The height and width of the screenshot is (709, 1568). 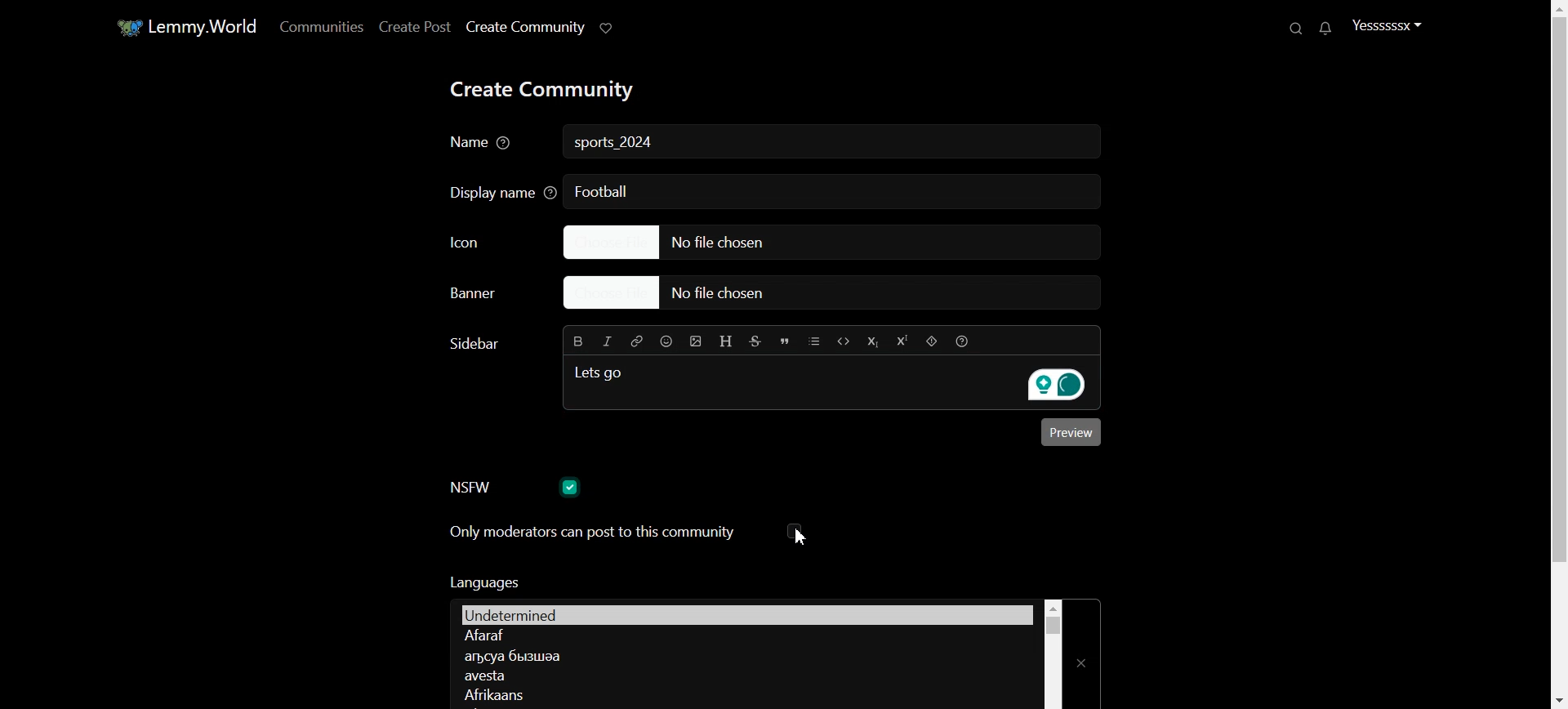 I want to click on Choose file, so click(x=824, y=242).